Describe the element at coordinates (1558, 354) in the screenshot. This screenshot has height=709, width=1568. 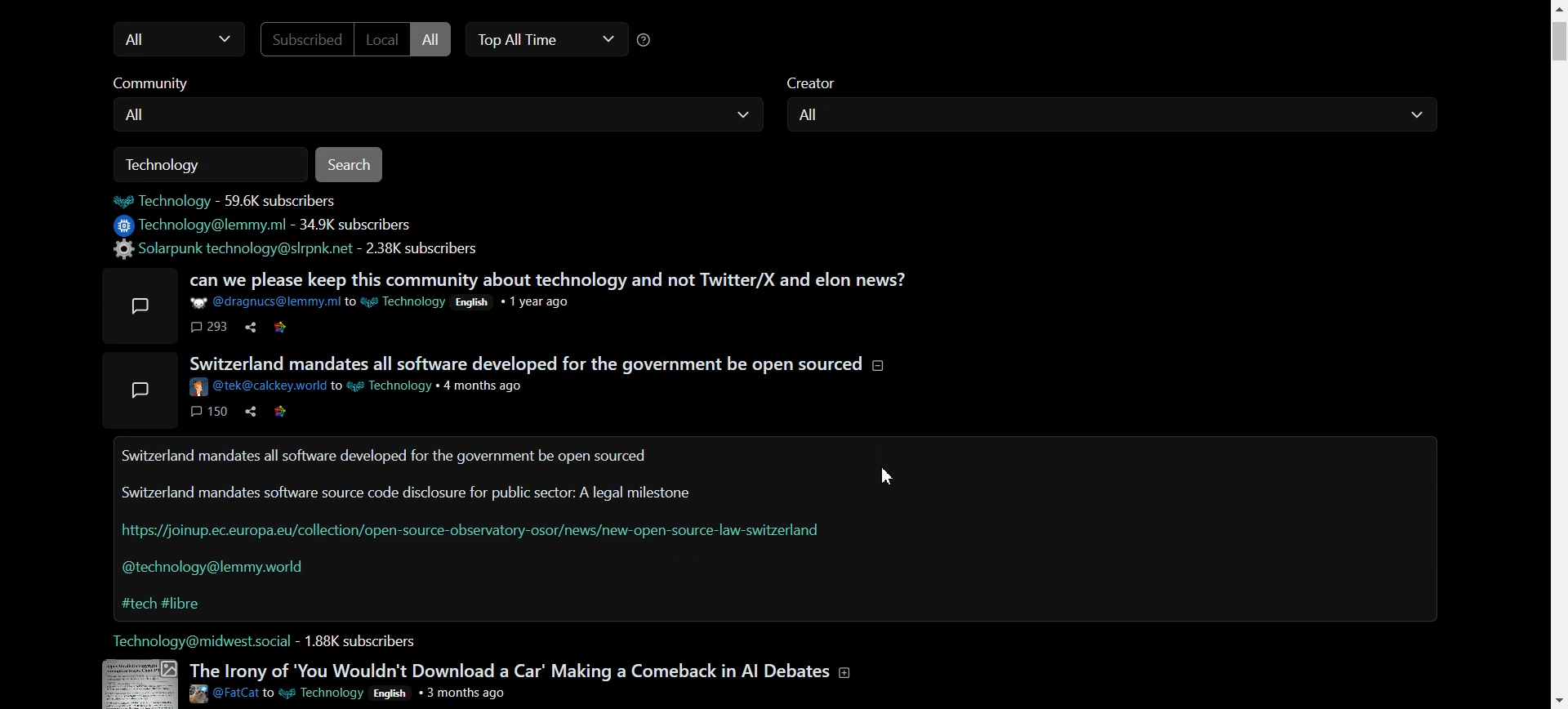
I see `Vertical Scroll bar` at that location.